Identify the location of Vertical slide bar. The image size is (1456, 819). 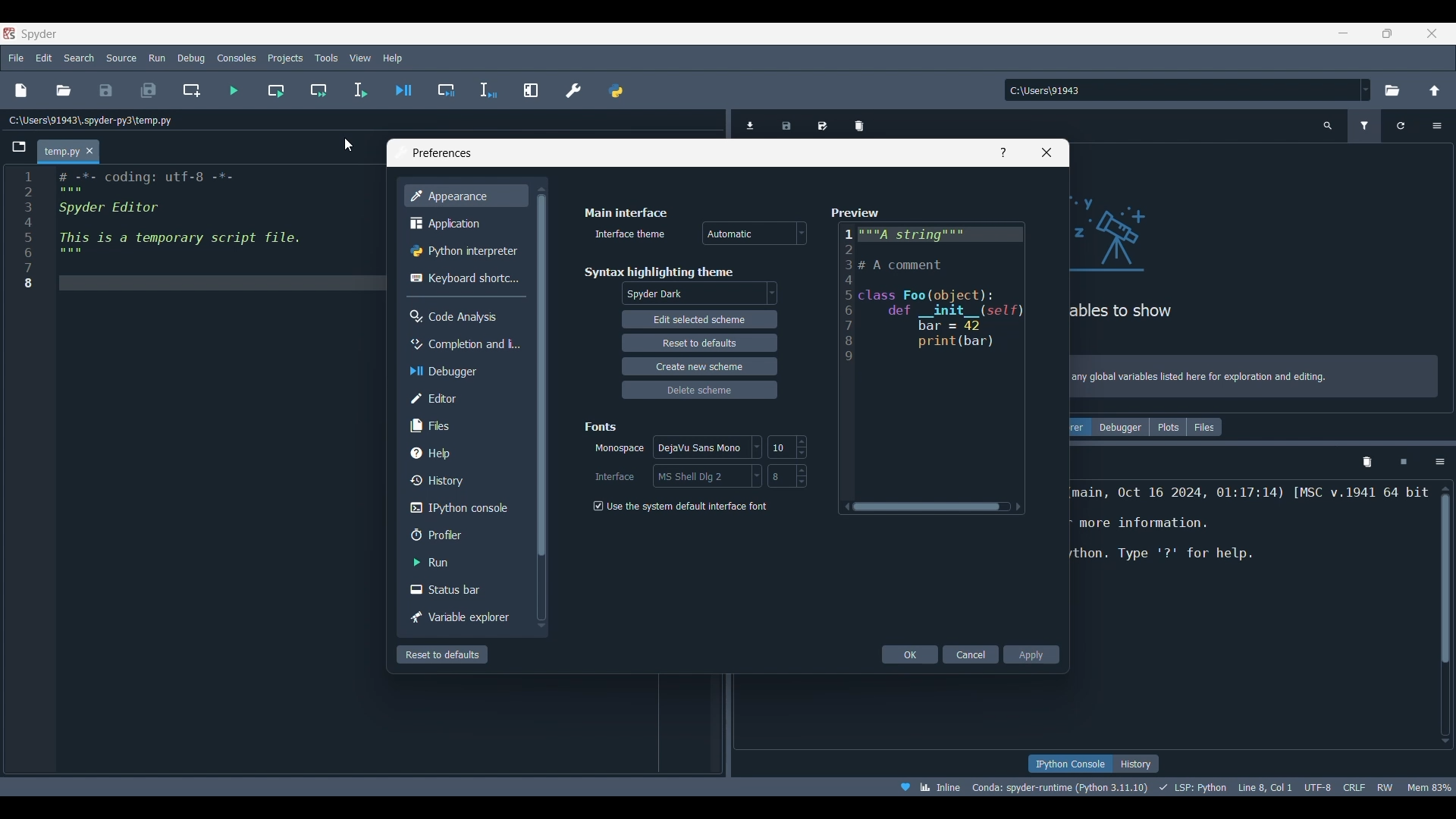
(1445, 615).